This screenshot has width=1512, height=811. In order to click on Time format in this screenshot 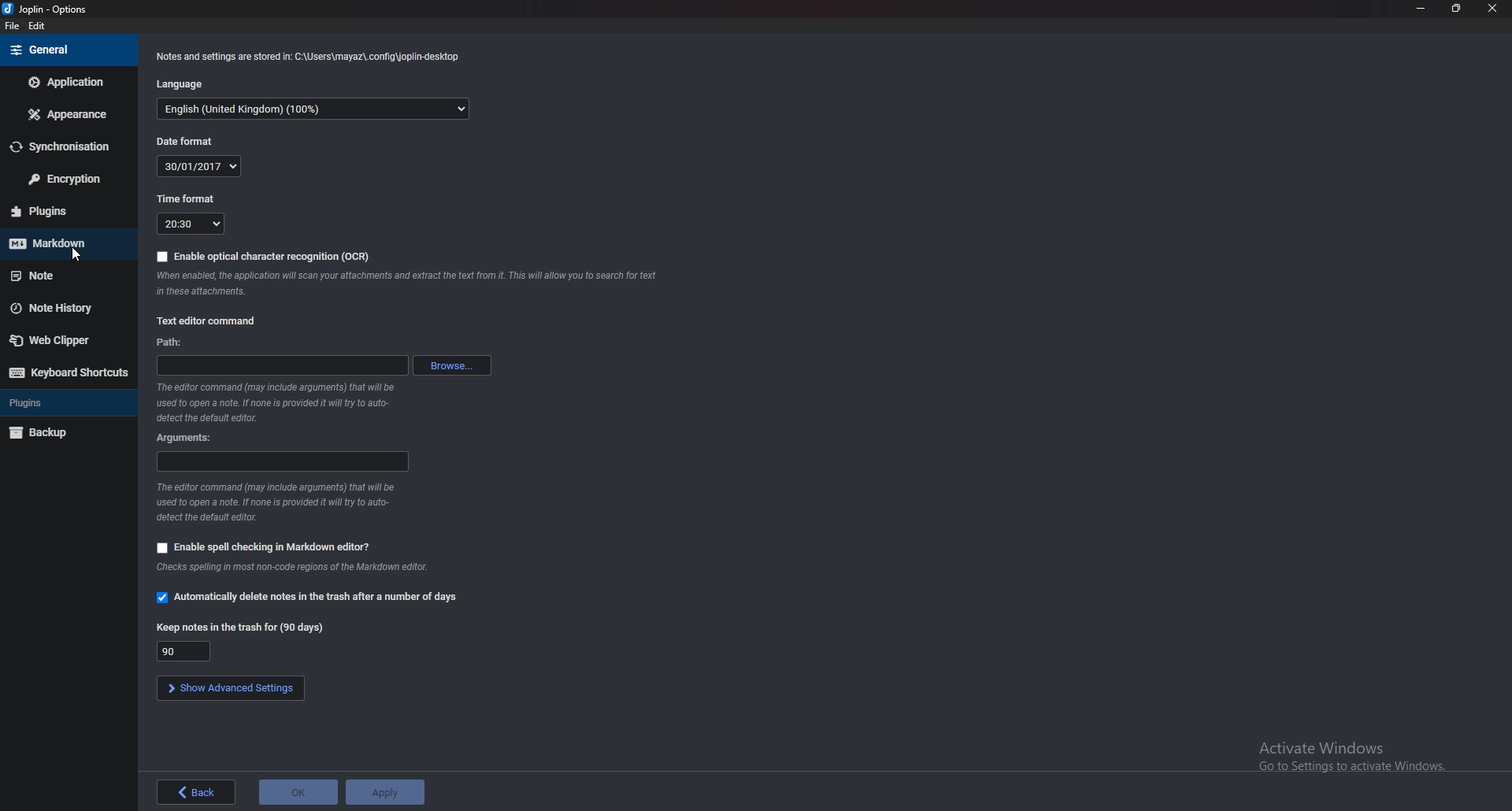, I will do `click(192, 224)`.